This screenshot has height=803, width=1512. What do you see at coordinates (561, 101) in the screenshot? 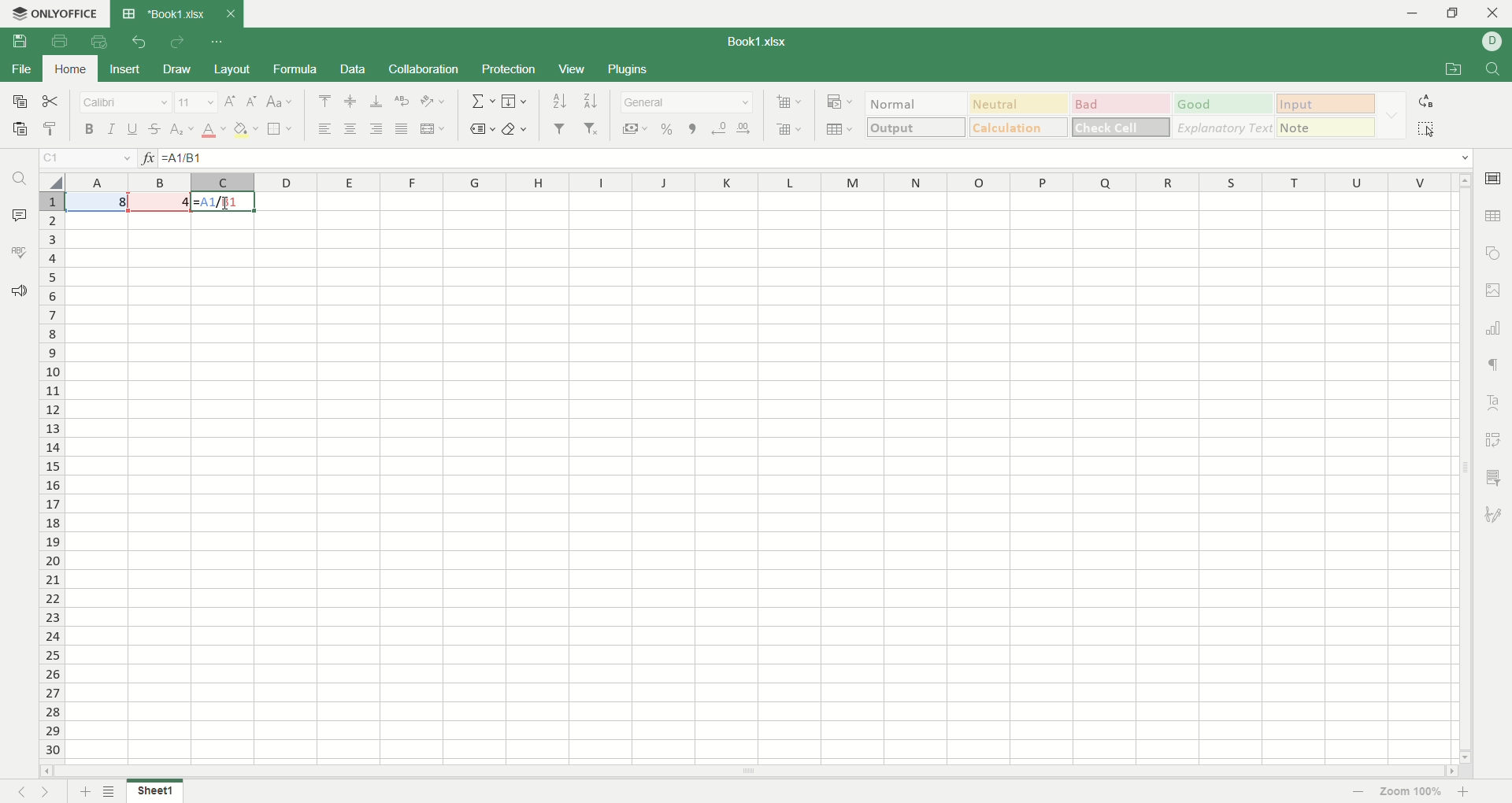
I see `sort ascending` at bounding box center [561, 101].